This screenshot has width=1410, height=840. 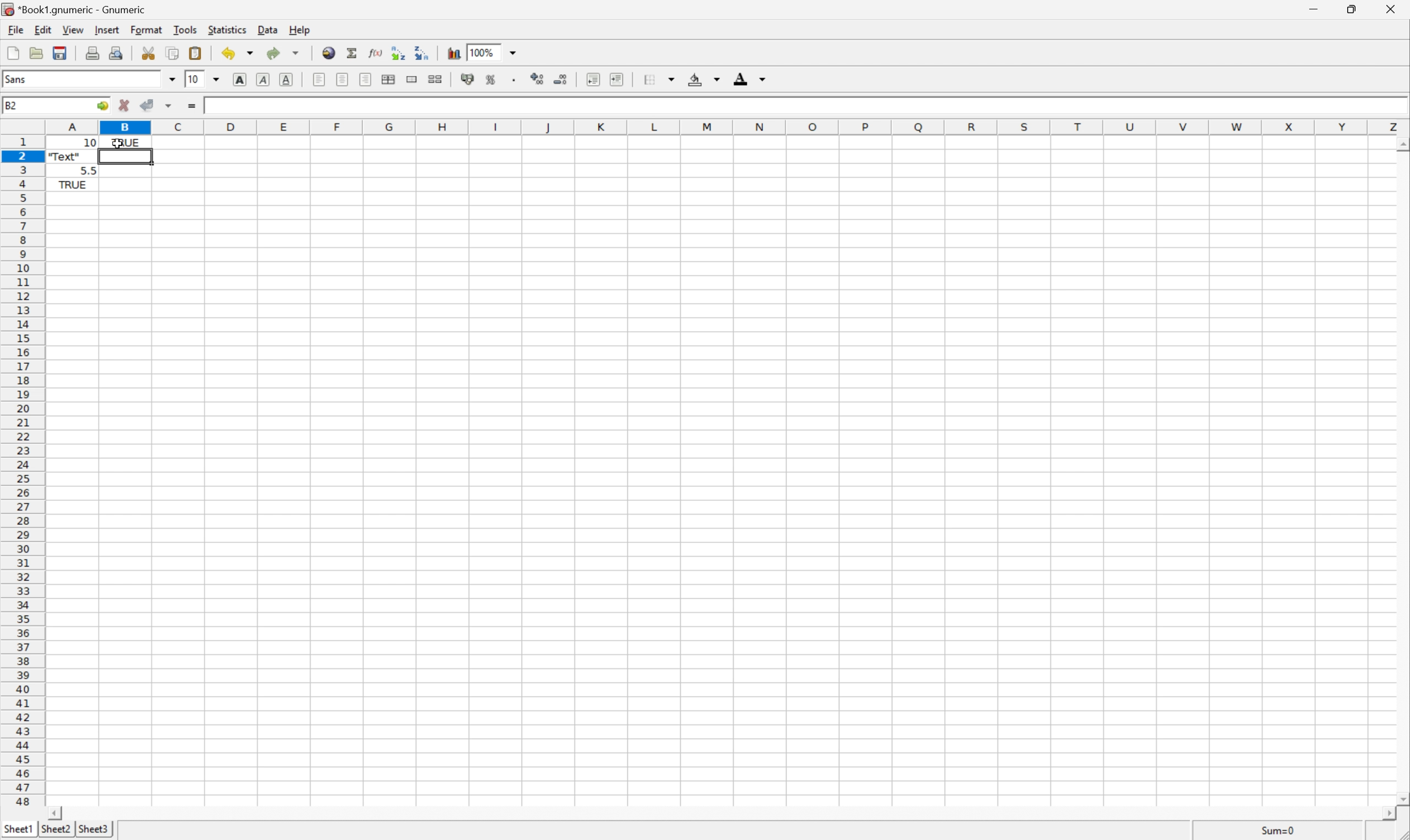 I want to click on Scroll Down, so click(x=1401, y=145).